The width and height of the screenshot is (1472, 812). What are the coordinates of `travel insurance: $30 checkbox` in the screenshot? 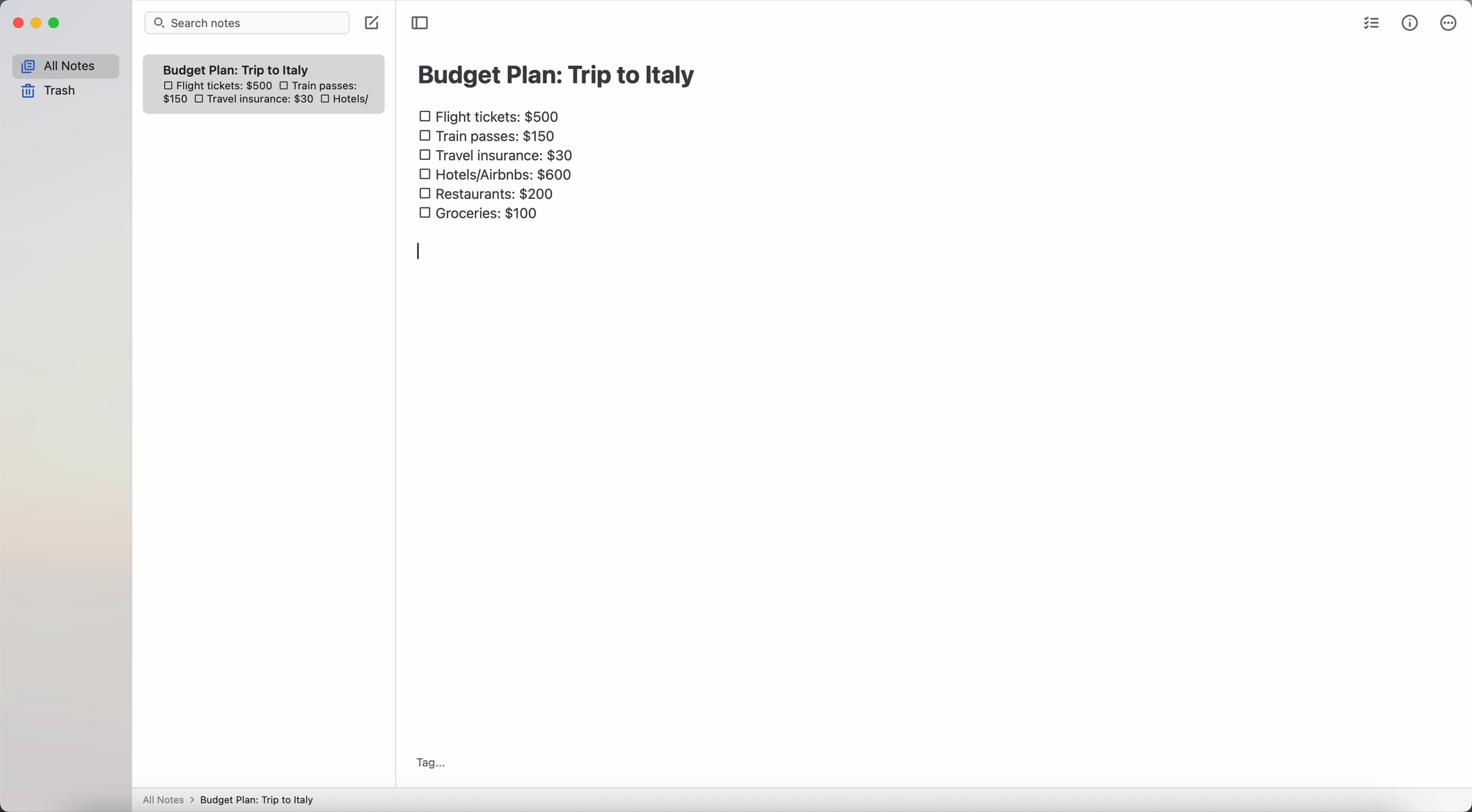 It's located at (498, 155).